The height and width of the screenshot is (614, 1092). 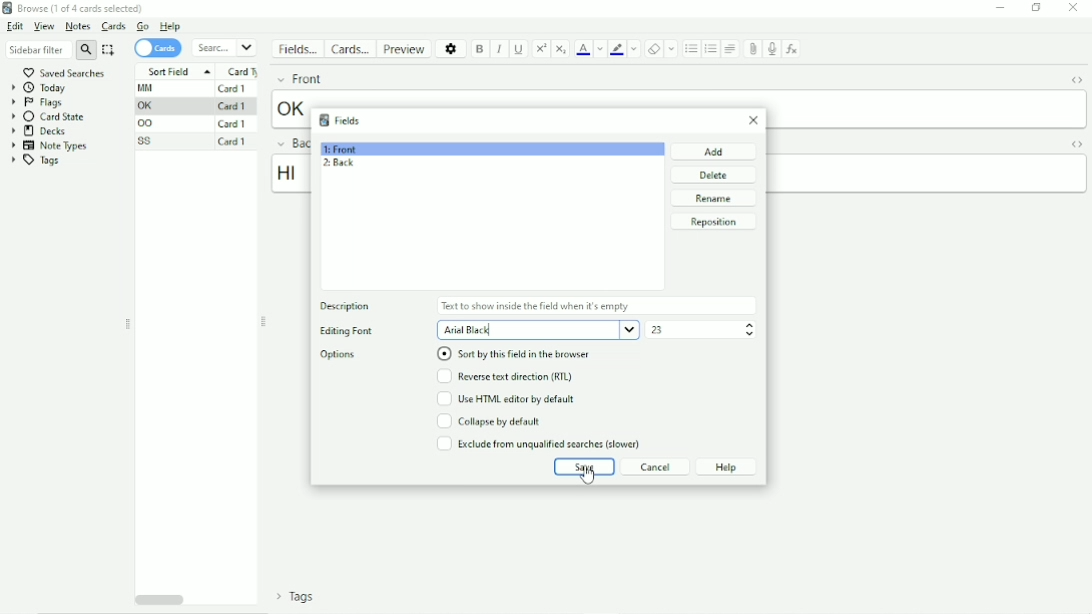 I want to click on MM, so click(x=149, y=88).